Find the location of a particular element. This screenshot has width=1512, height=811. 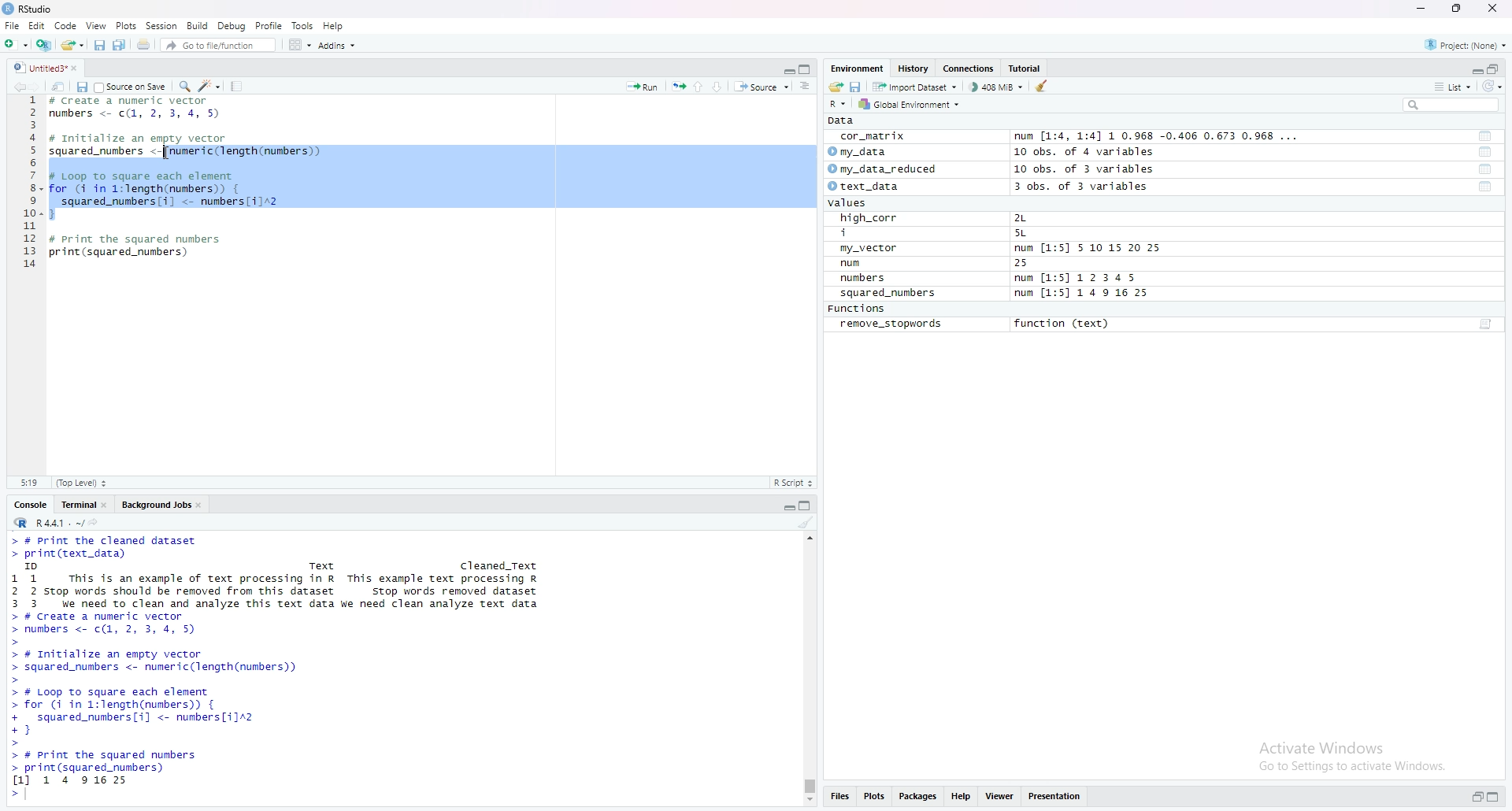

5L is located at coordinates (1024, 234).